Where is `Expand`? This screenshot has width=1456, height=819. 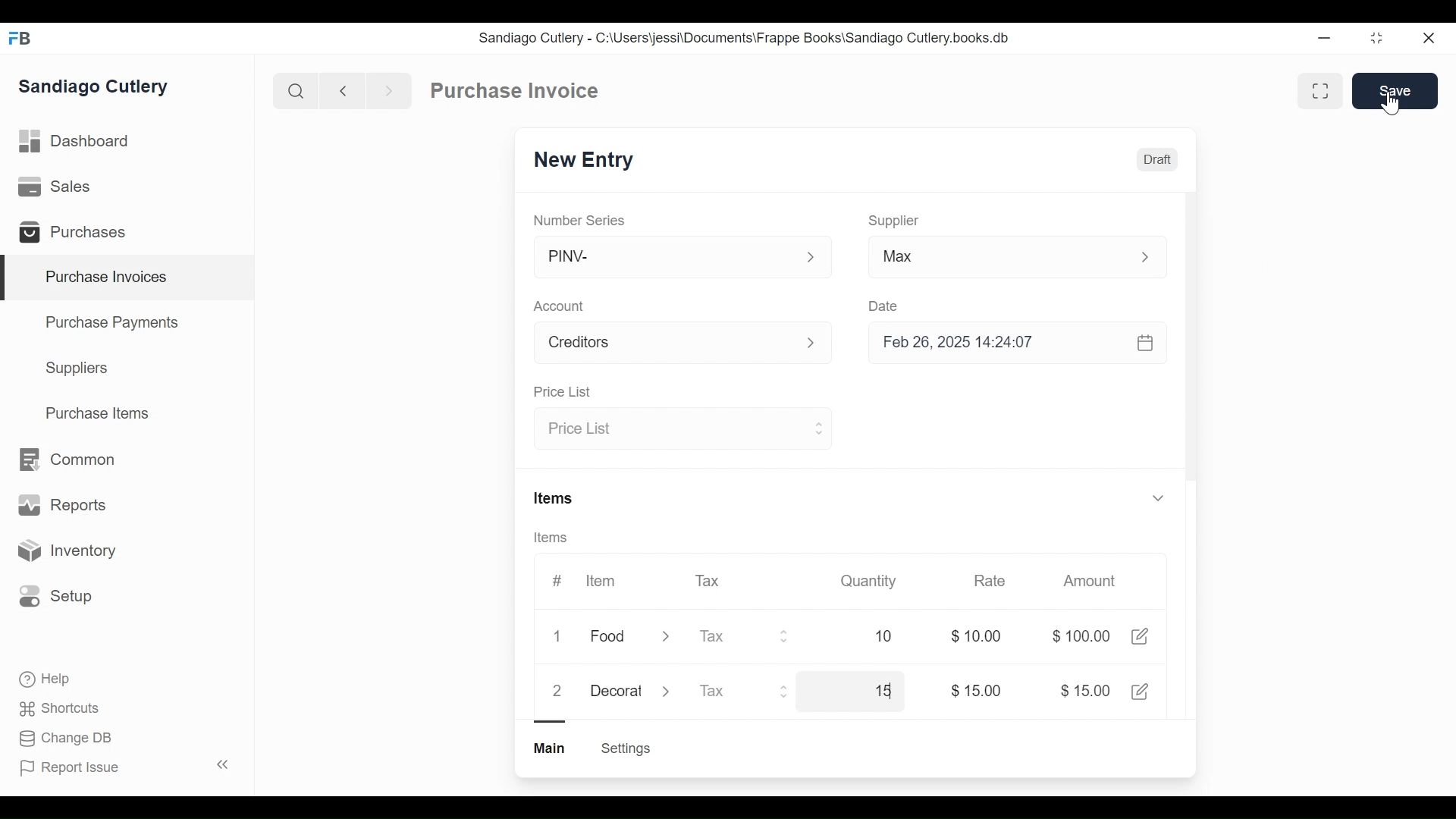 Expand is located at coordinates (669, 690).